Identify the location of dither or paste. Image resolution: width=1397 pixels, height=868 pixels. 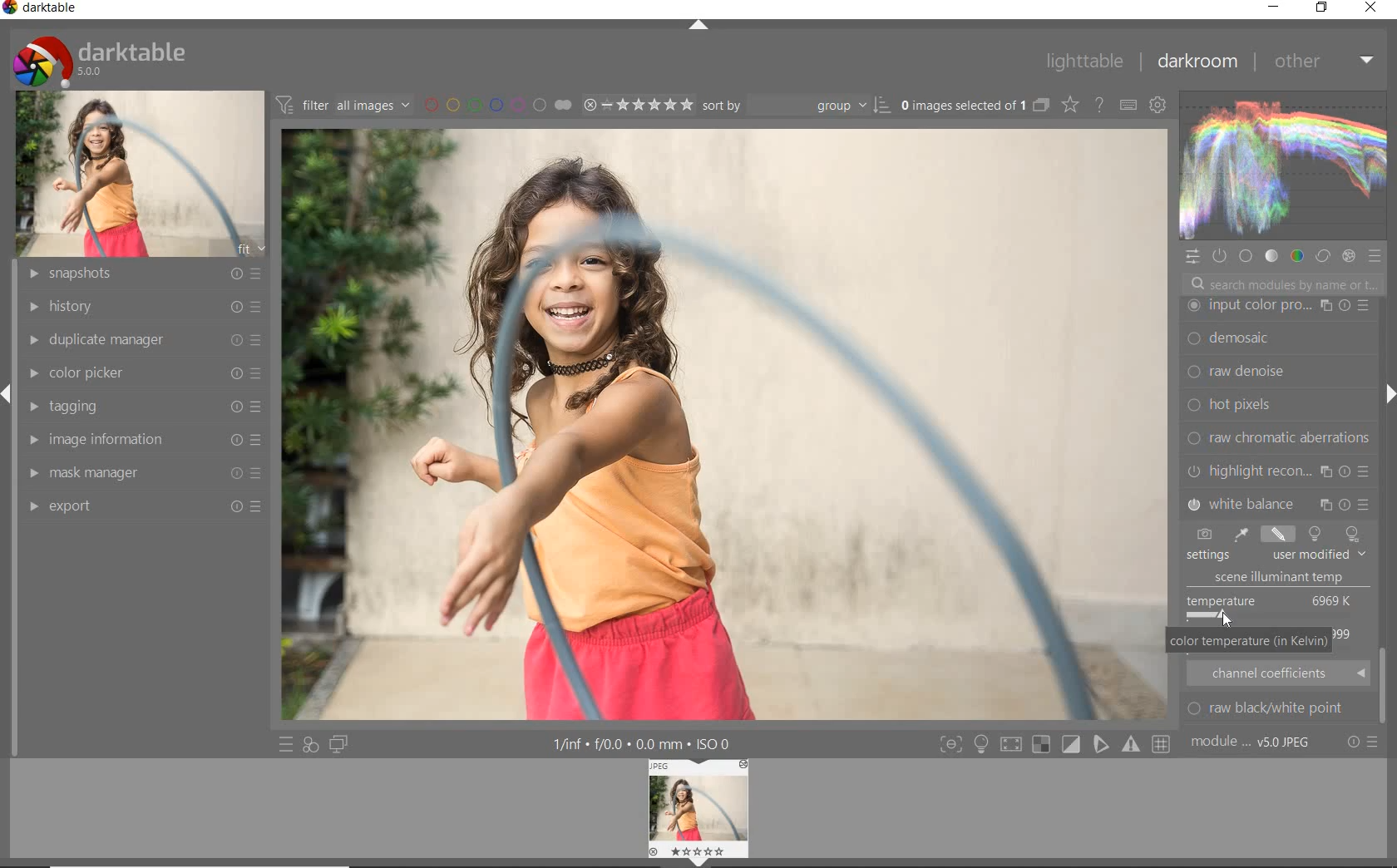
(1274, 372).